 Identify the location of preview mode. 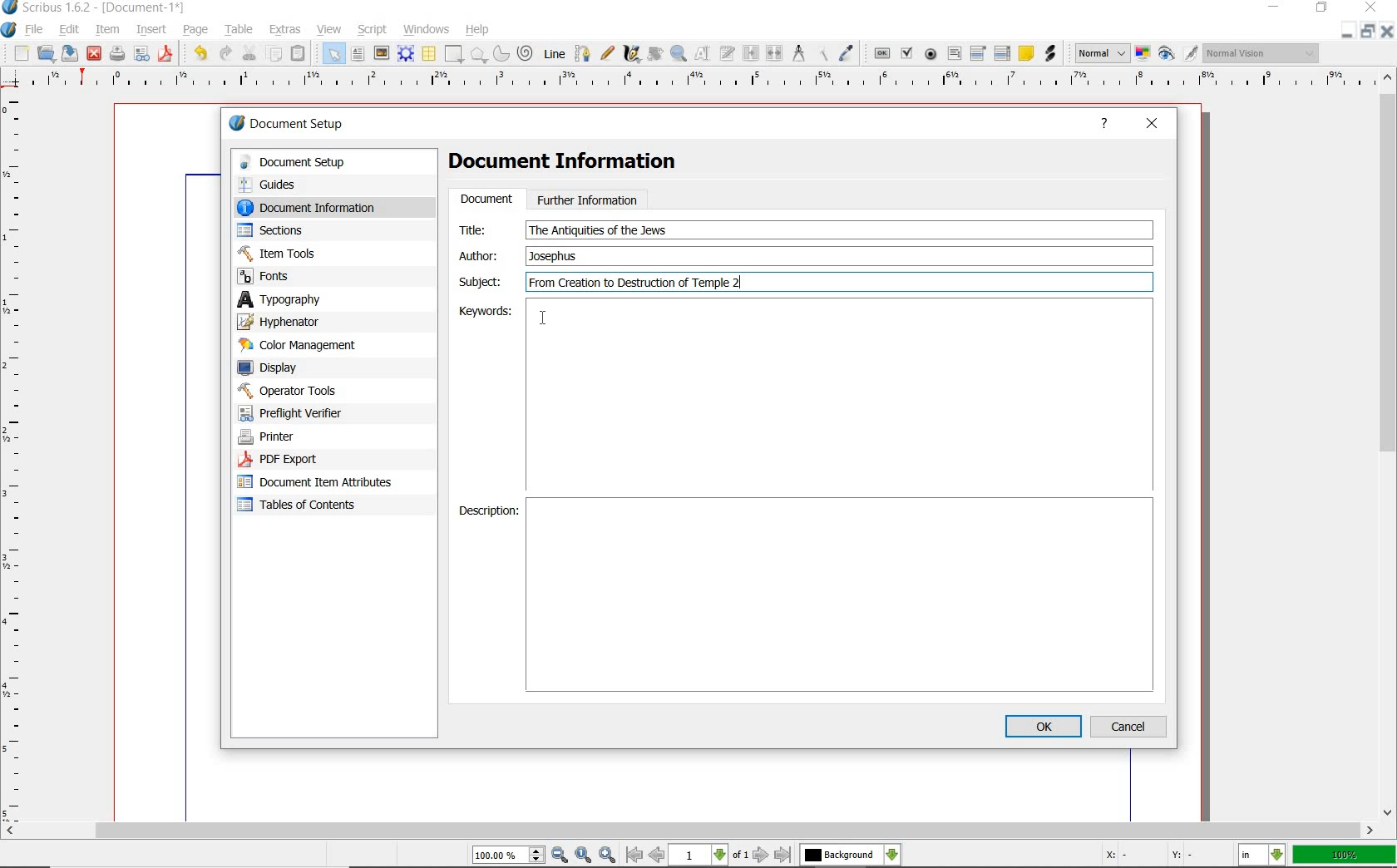
(1179, 54).